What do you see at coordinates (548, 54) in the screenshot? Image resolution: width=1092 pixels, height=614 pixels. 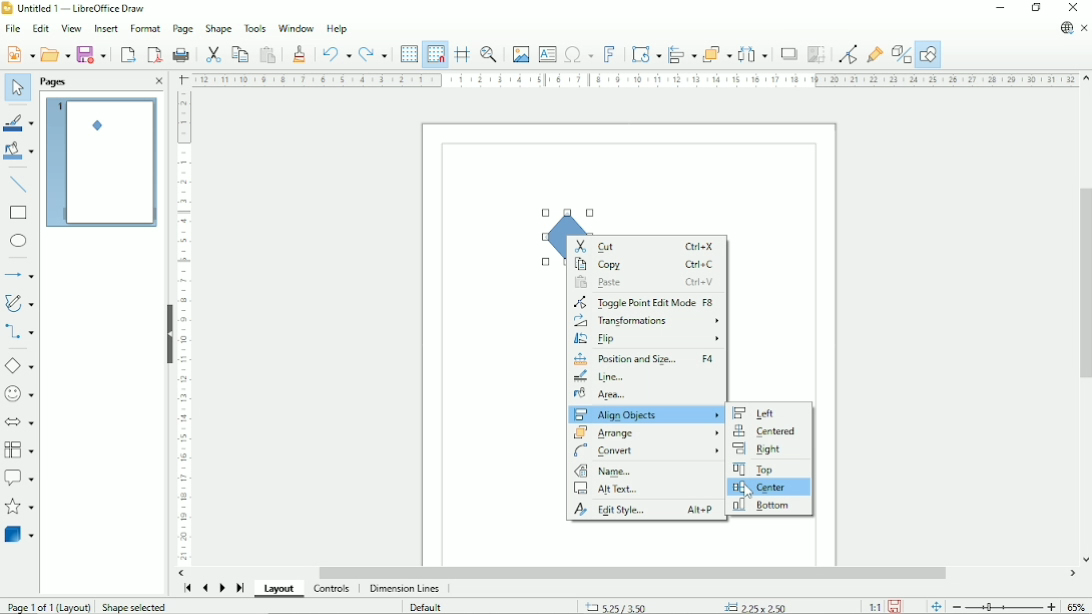 I see `Insert text box` at bounding box center [548, 54].